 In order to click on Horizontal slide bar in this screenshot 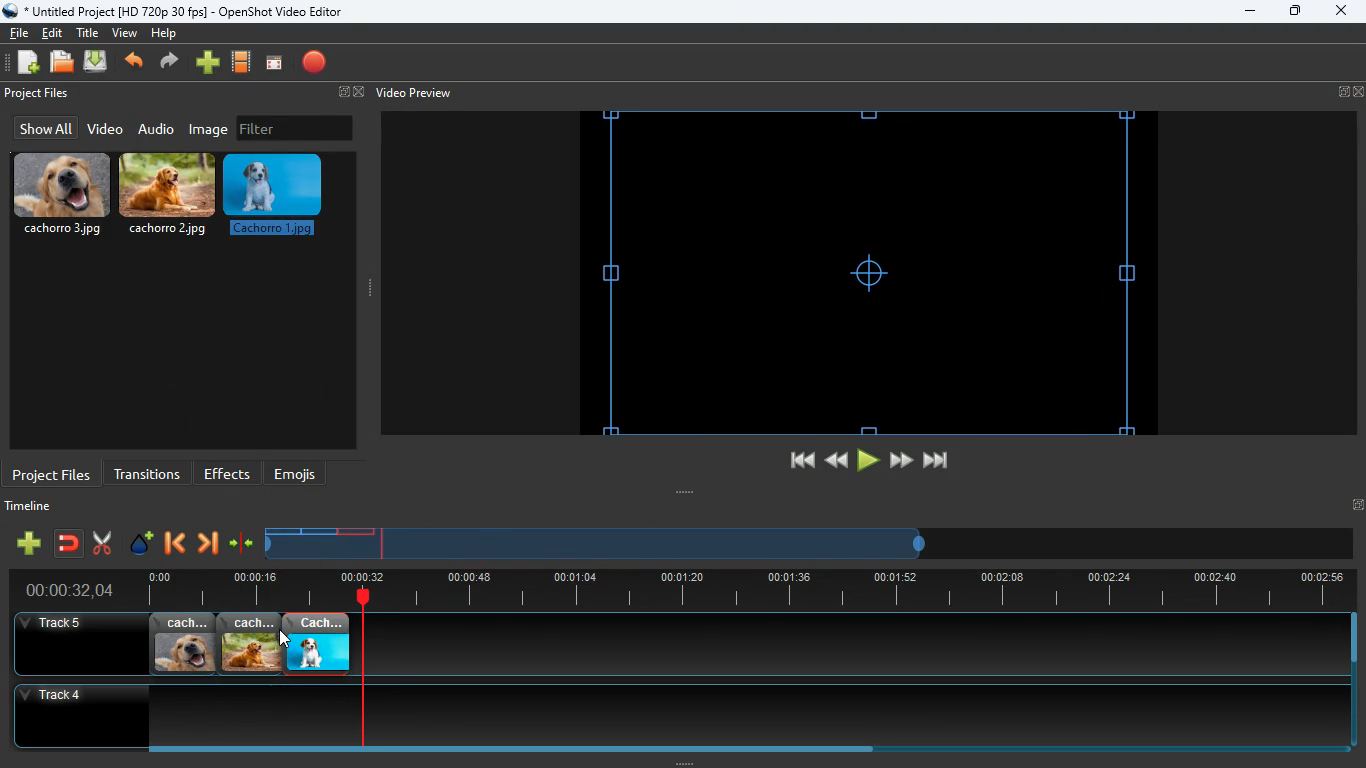, I will do `click(735, 749)`.